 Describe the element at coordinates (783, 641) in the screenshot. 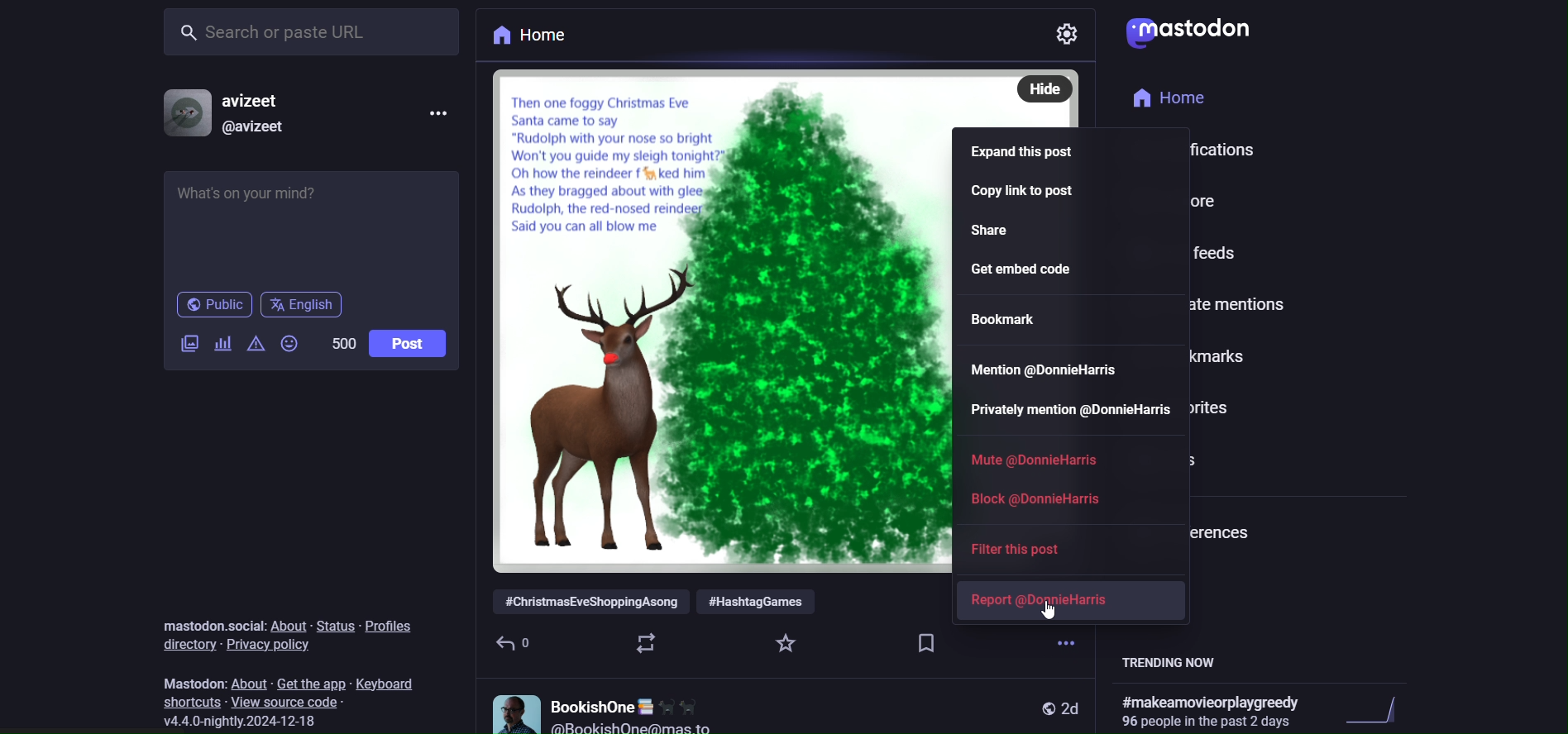

I see `favorite` at that location.